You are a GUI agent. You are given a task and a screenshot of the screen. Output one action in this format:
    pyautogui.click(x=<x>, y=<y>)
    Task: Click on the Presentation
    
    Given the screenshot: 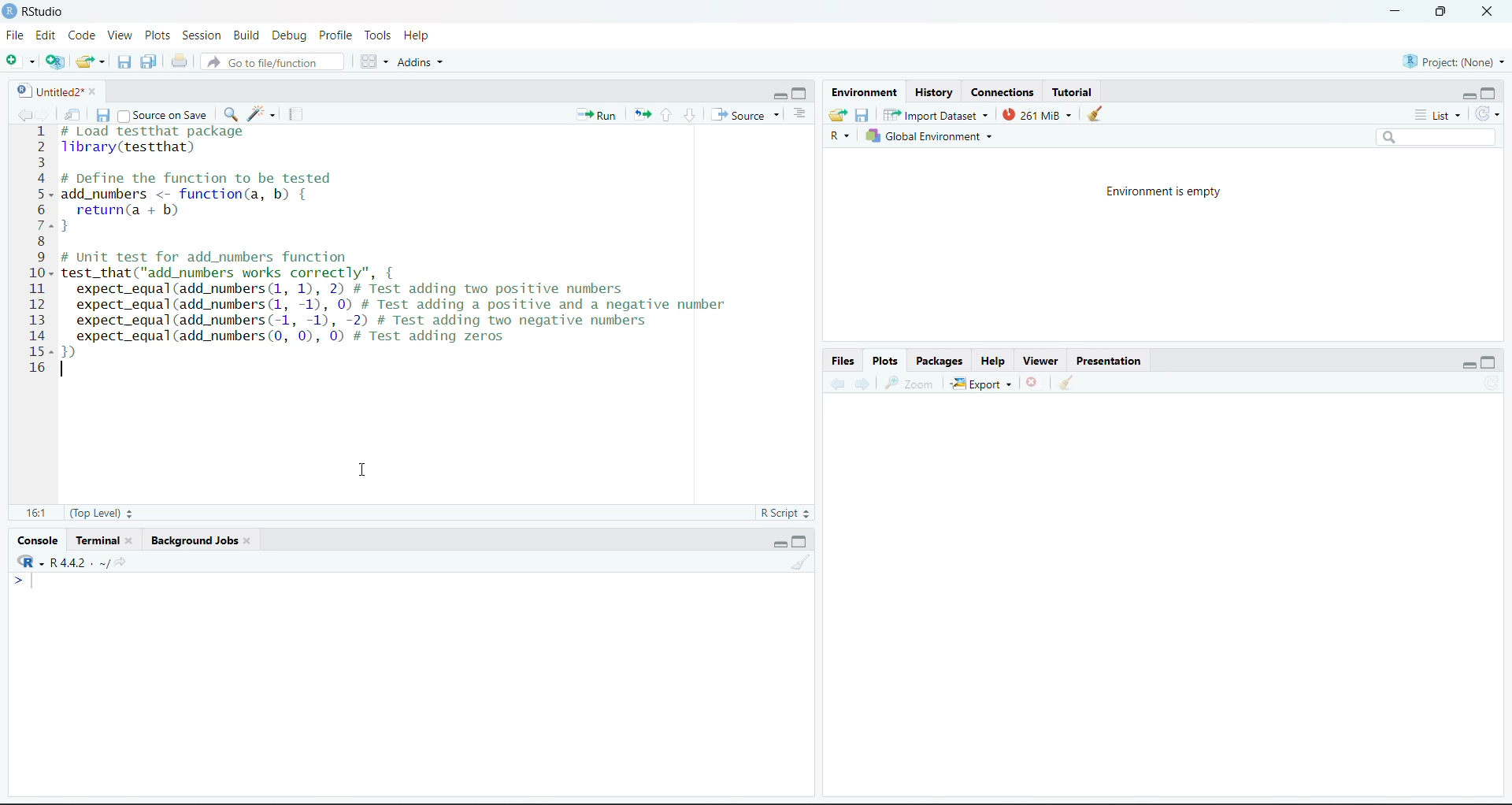 What is the action you would take?
    pyautogui.click(x=1110, y=360)
    